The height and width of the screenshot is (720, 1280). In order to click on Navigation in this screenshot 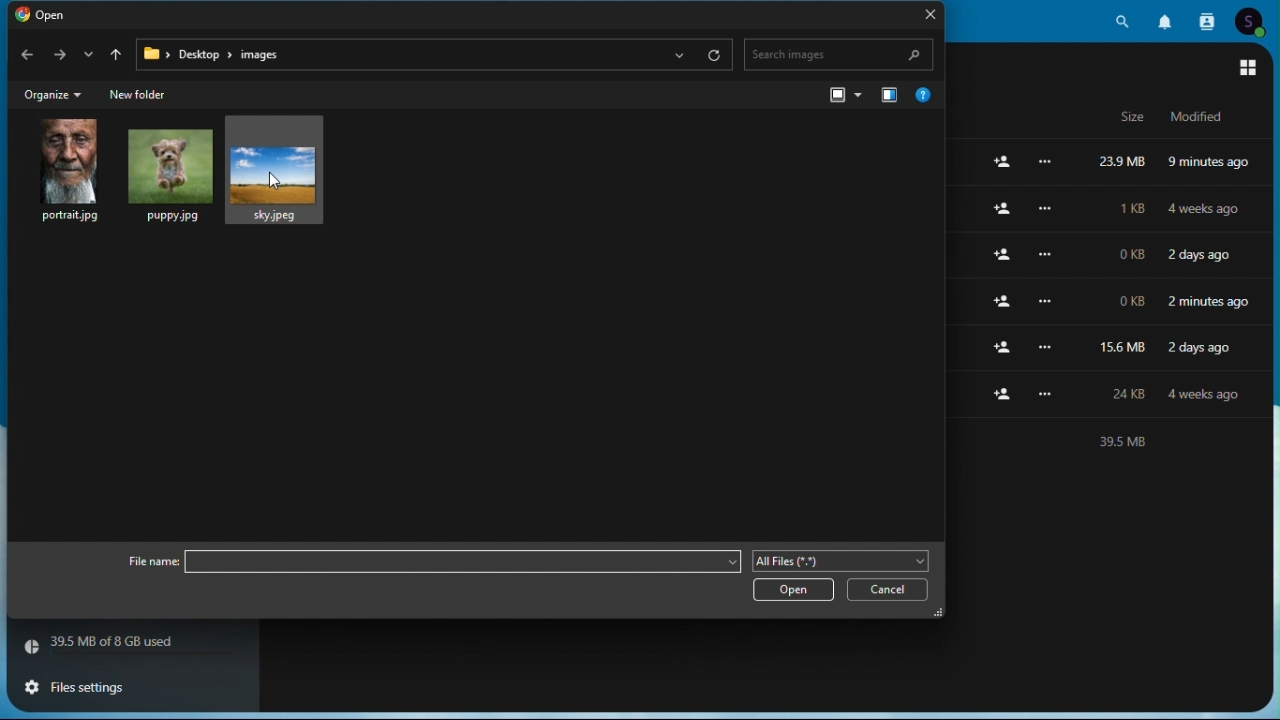, I will do `click(887, 93)`.